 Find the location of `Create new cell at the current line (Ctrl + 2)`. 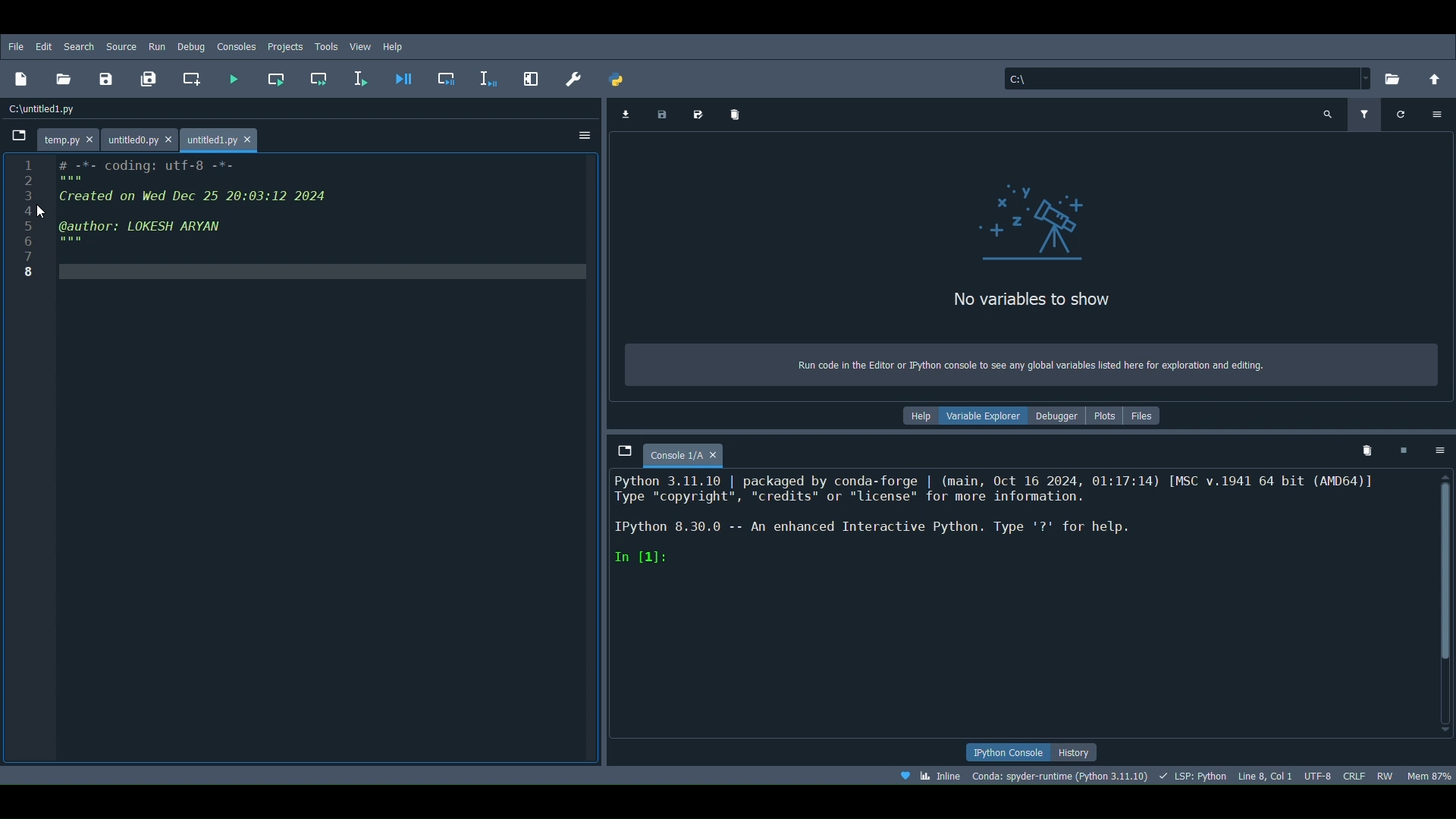

Create new cell at the current line (Ctrl + 2) is located at coordinates (196, 80).